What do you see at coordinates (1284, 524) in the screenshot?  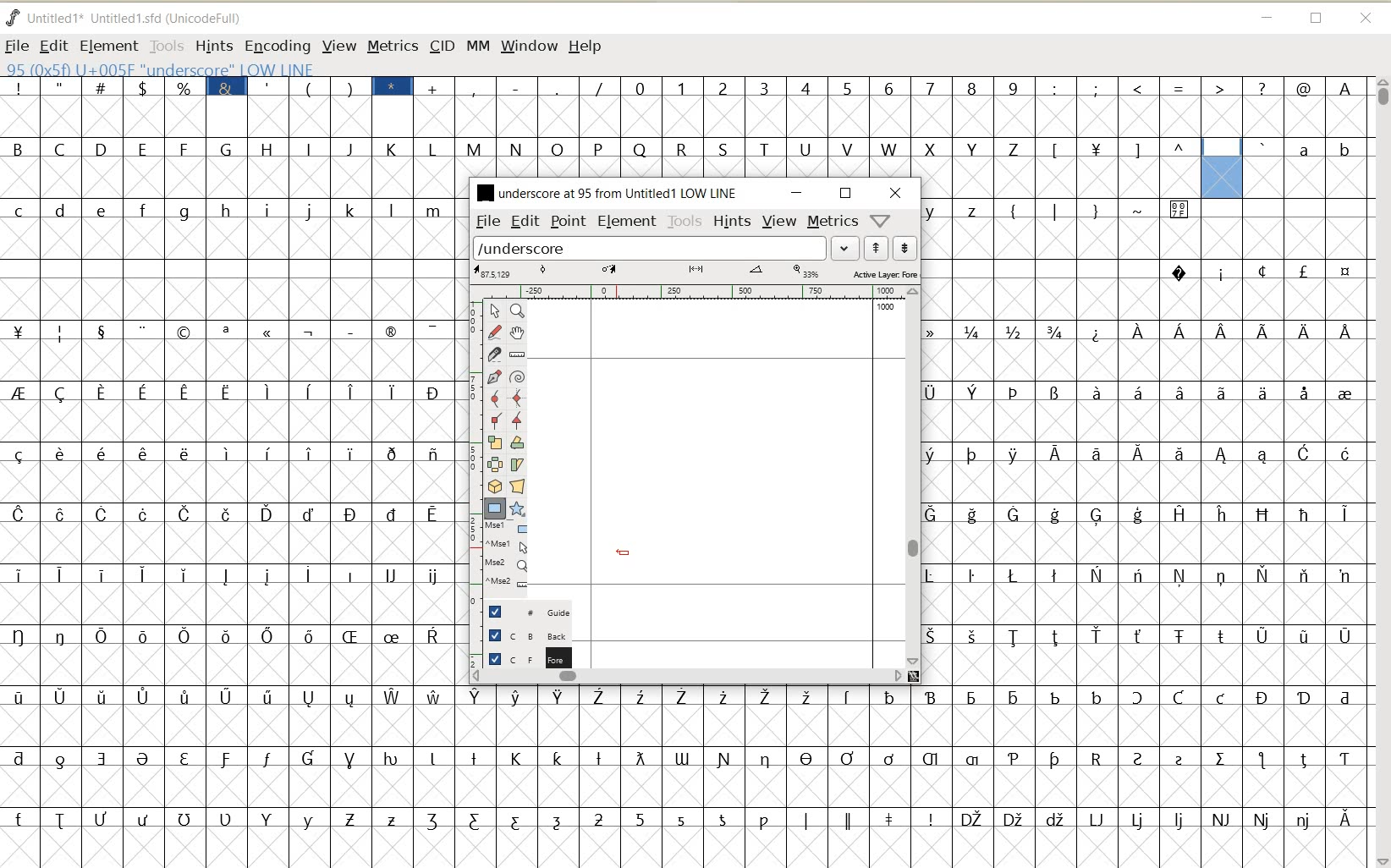 I see `GLYPHY CHARACTERS` at bounding box center [1284, 524].